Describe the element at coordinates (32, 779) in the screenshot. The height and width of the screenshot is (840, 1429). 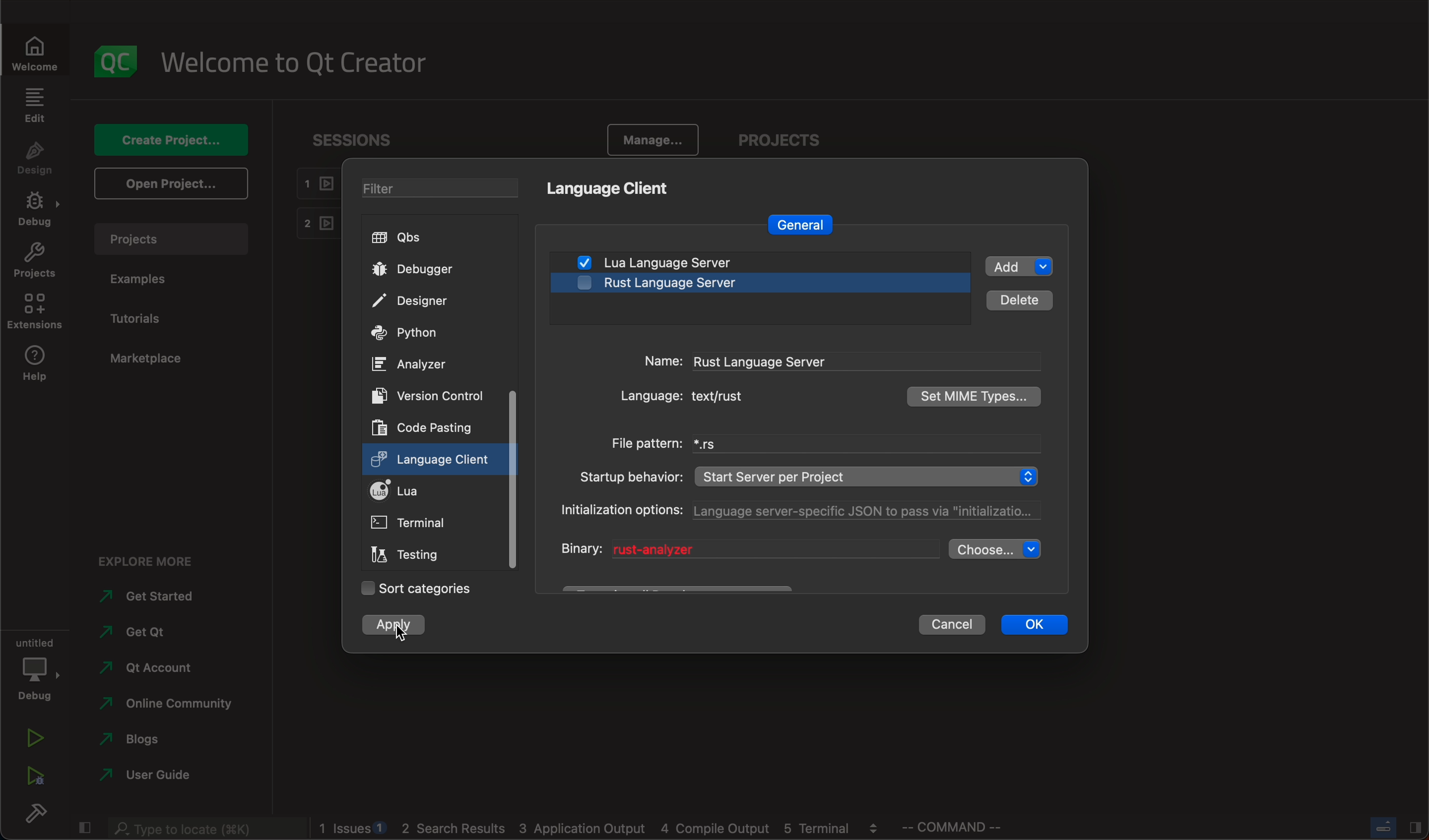
I see `run debug` at that location.